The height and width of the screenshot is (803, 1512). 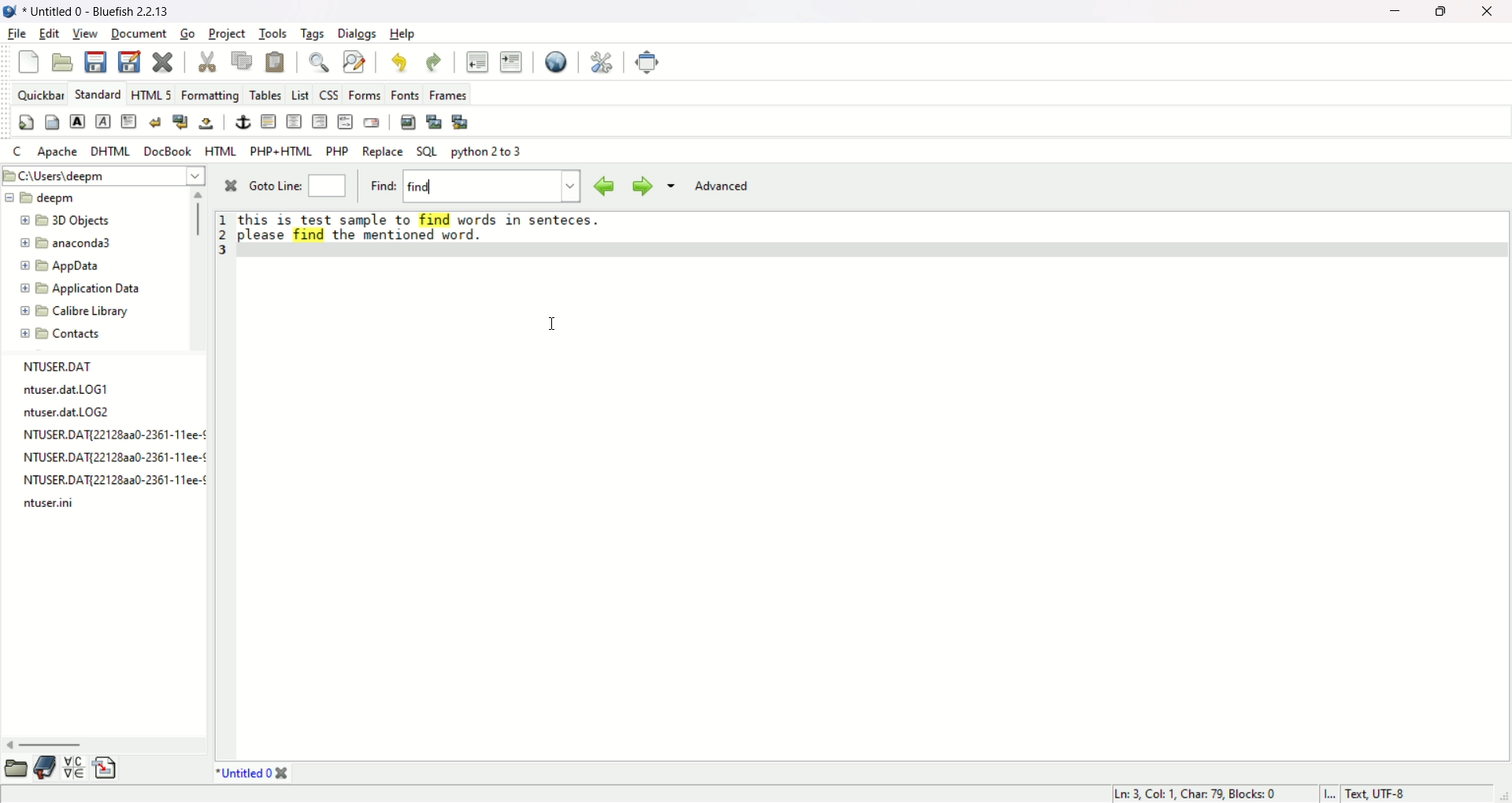 I want to click on save current file, so click(x=95, y=61).